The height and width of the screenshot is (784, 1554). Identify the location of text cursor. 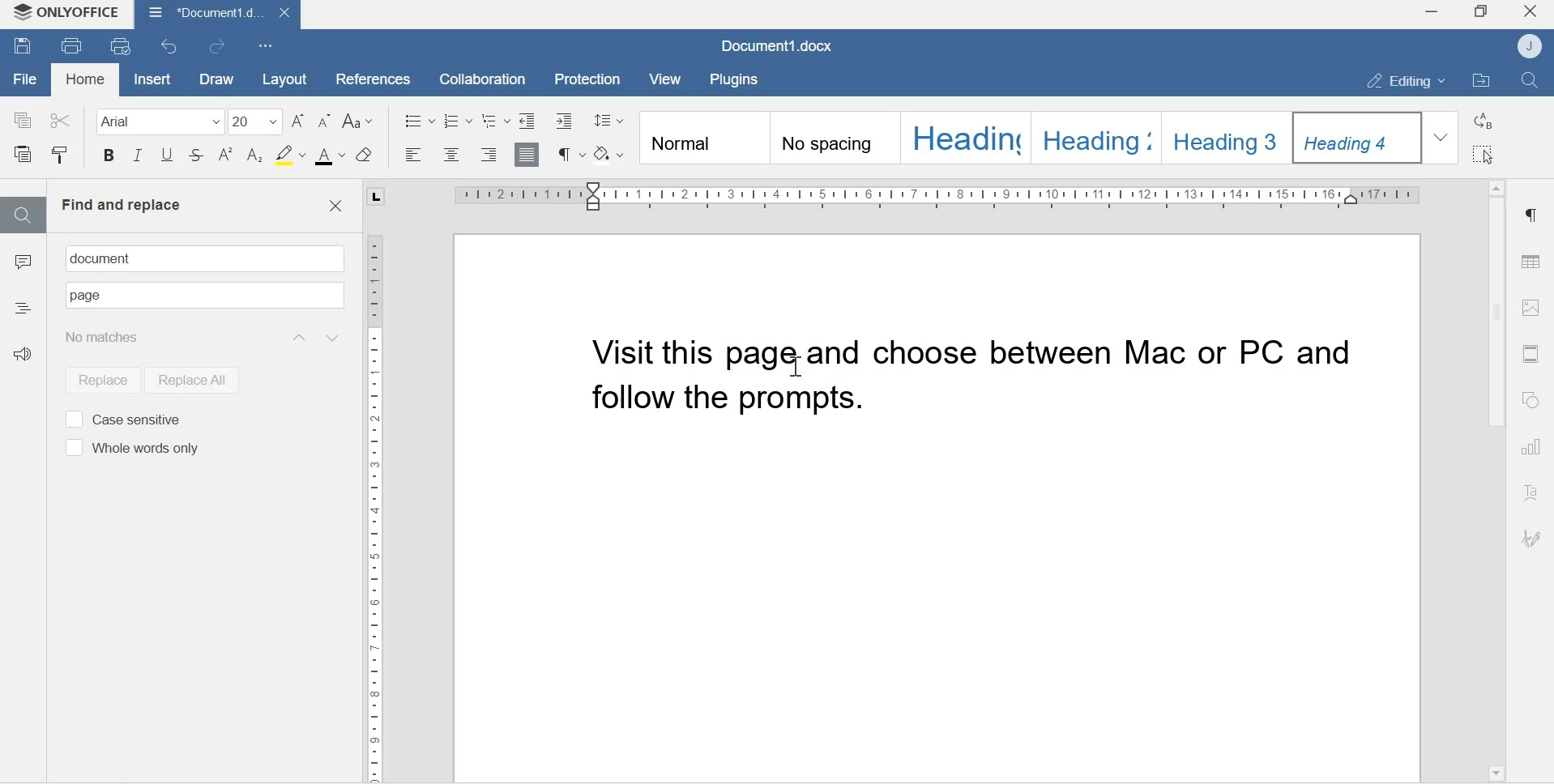
(792, 361).